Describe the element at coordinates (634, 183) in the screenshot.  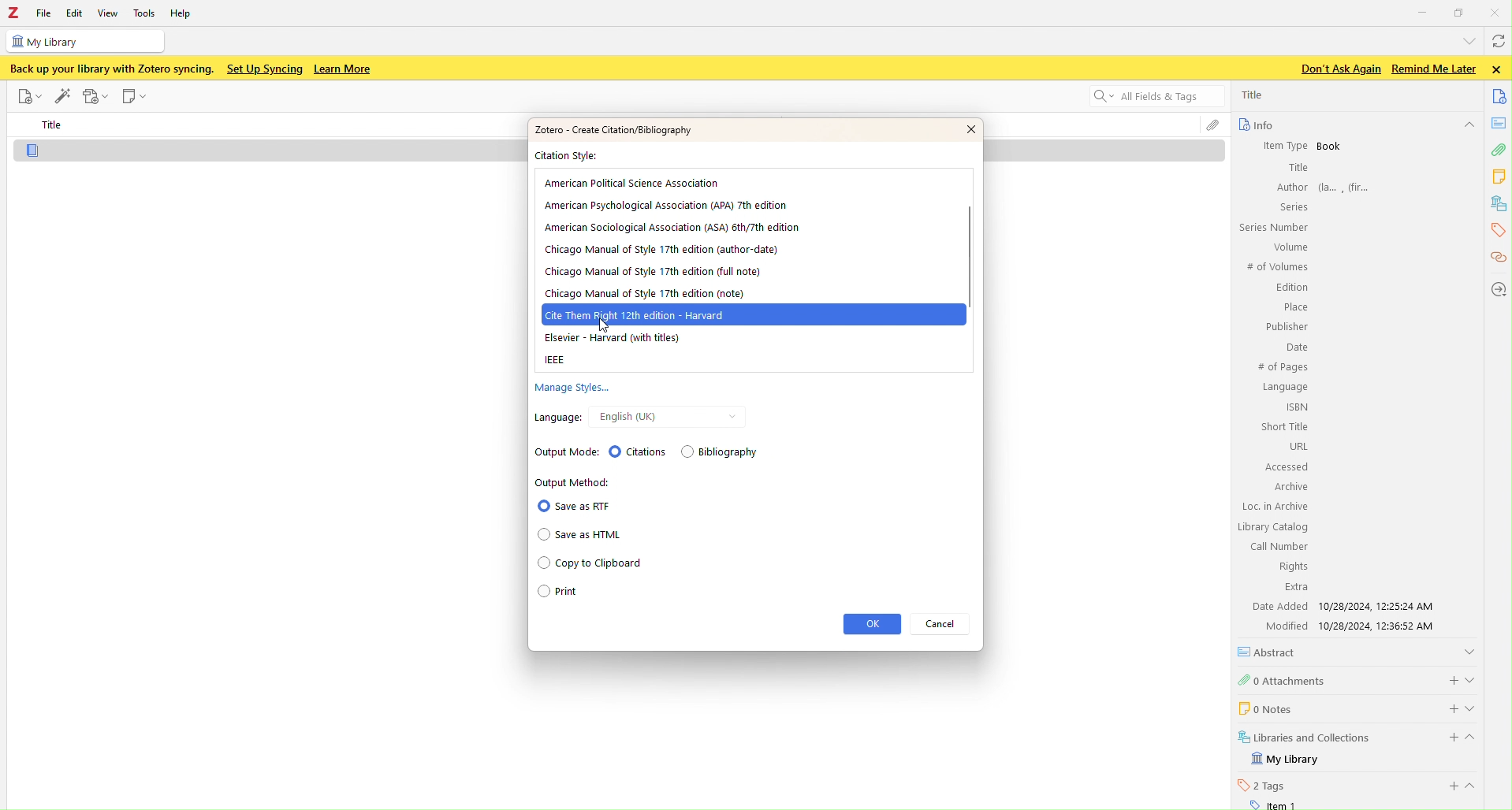
I see `American Political Science Association` at that location.